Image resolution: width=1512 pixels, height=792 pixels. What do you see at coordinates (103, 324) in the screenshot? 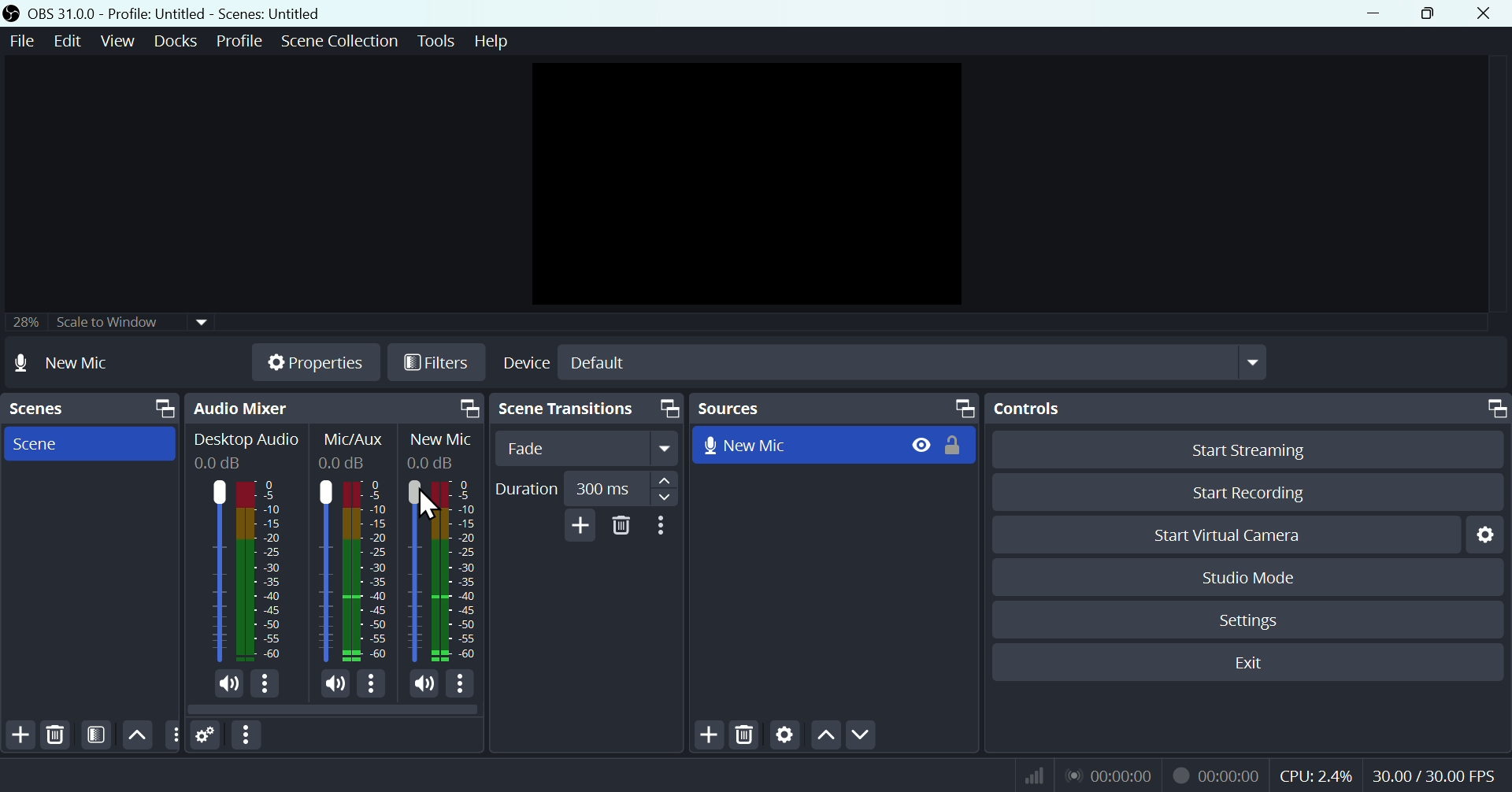
I see `Scale to ` at bounding box center [103, 324].